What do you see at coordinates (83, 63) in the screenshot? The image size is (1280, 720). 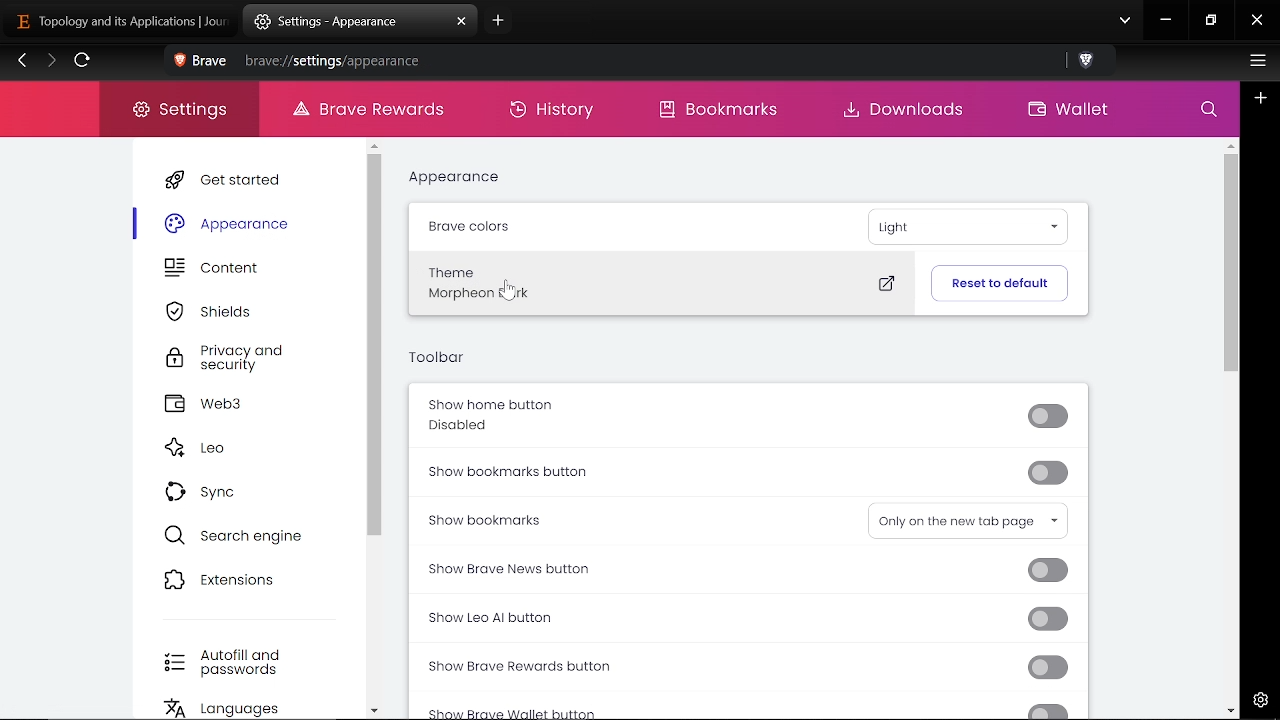 I see `Refesh` at bounding box center [83, 63].